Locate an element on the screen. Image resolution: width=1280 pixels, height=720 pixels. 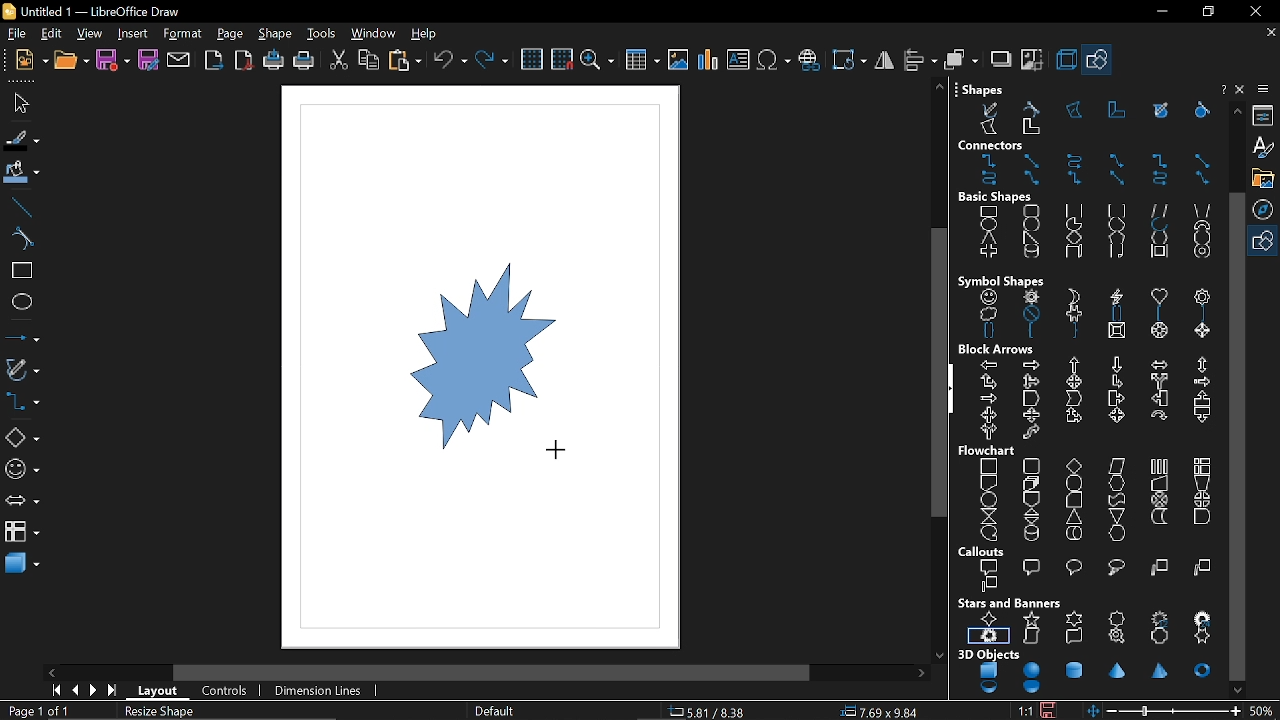
print directly is located at coordinates (274, 60).